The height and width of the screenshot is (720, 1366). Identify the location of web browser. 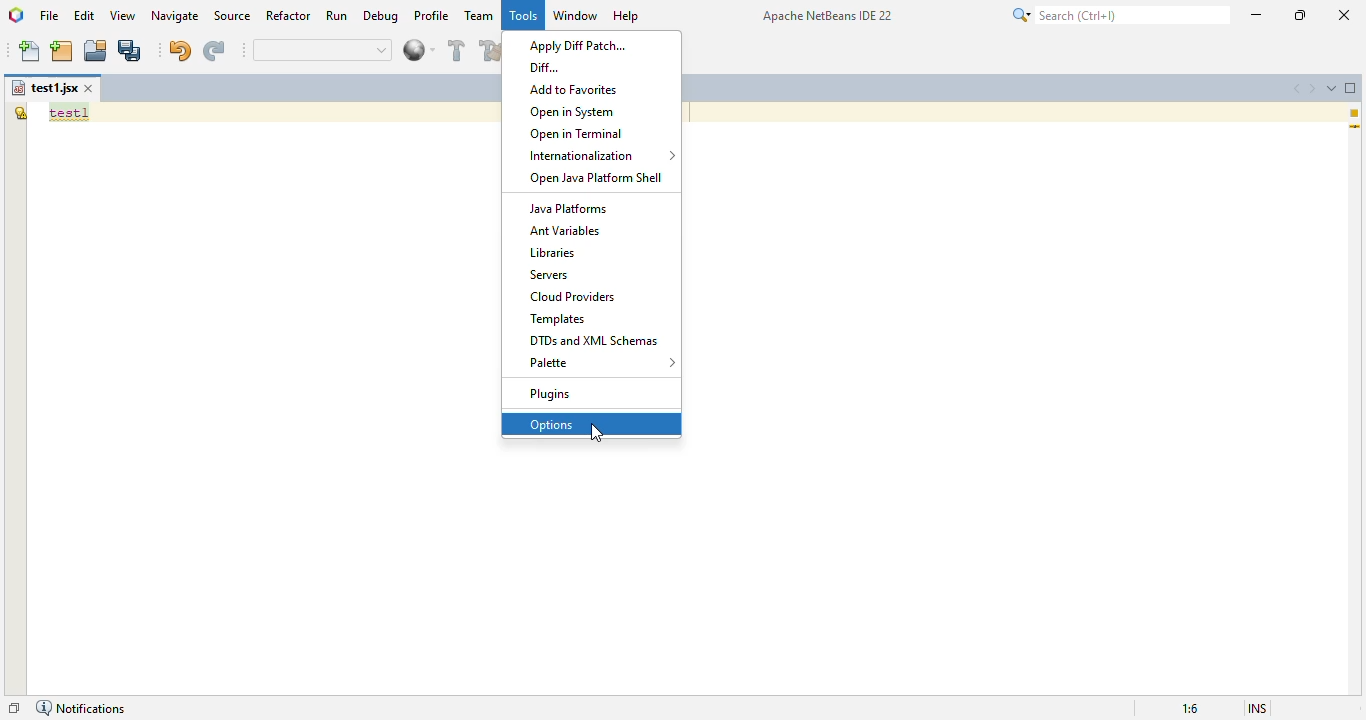
(419, 50).